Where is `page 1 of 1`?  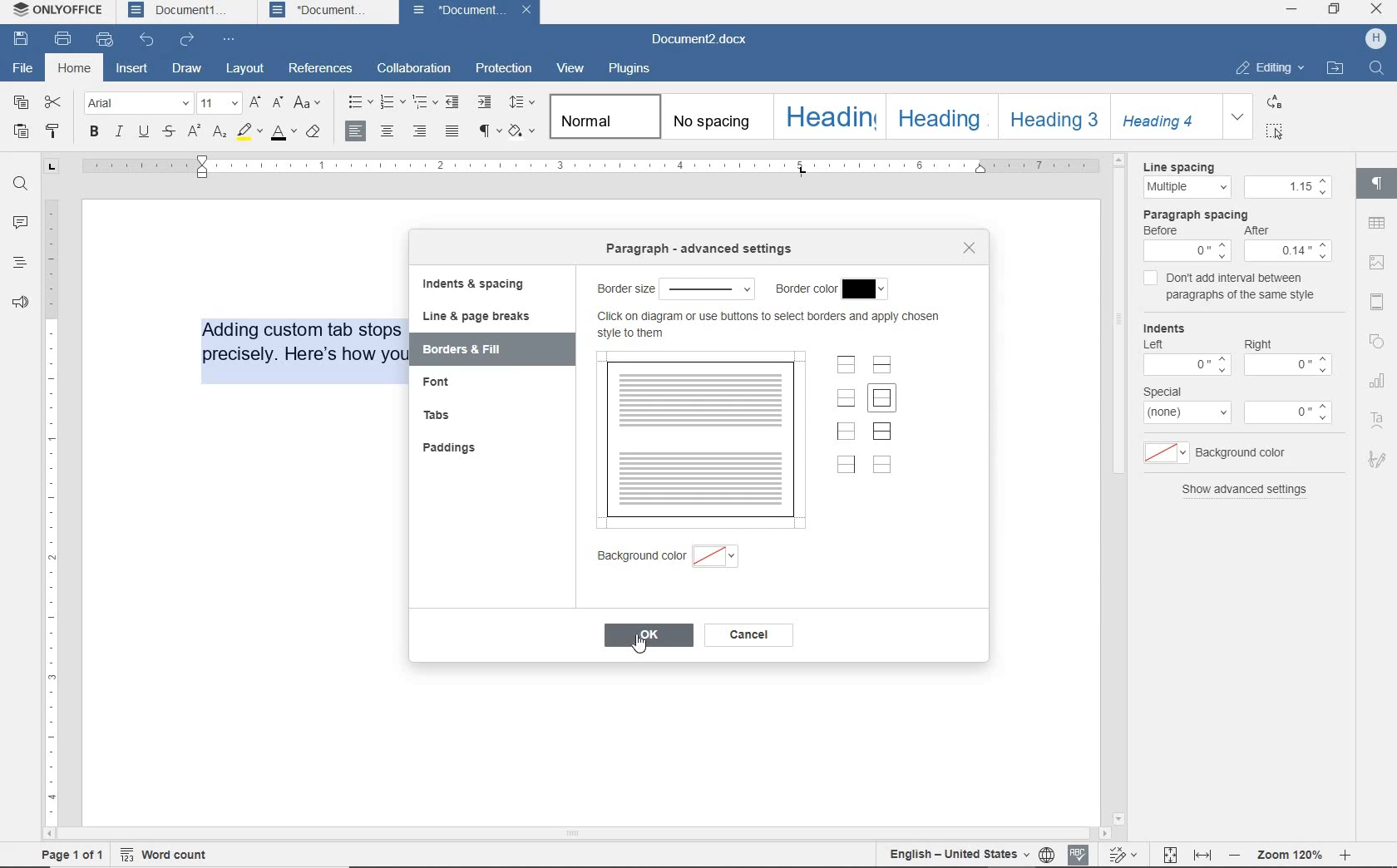 page 1 of 1 is located at coordinates (71, 856).